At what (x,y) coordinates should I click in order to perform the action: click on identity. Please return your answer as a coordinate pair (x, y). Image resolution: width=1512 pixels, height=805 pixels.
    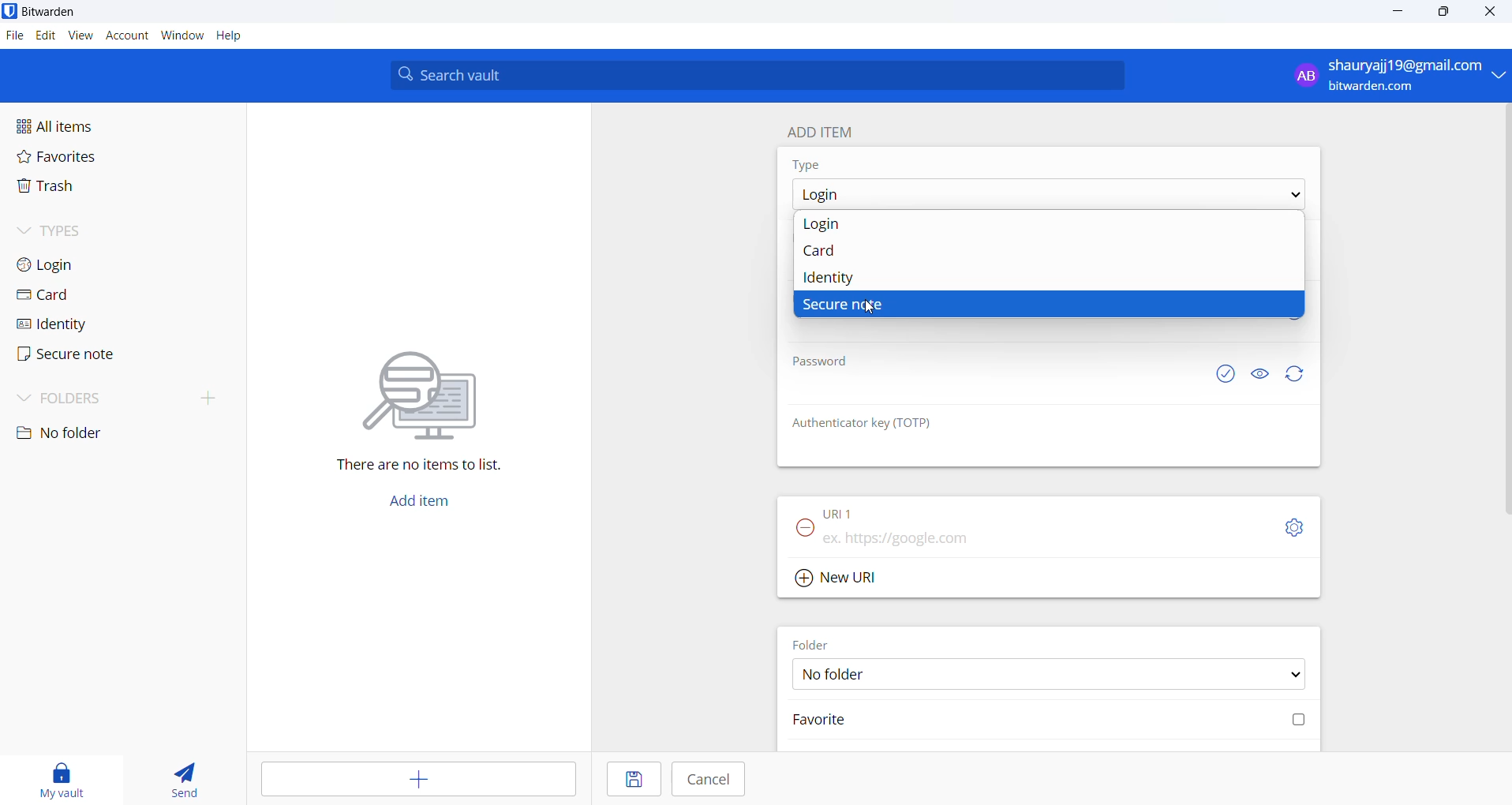
    Looking at the image, I should click on (85, 324).